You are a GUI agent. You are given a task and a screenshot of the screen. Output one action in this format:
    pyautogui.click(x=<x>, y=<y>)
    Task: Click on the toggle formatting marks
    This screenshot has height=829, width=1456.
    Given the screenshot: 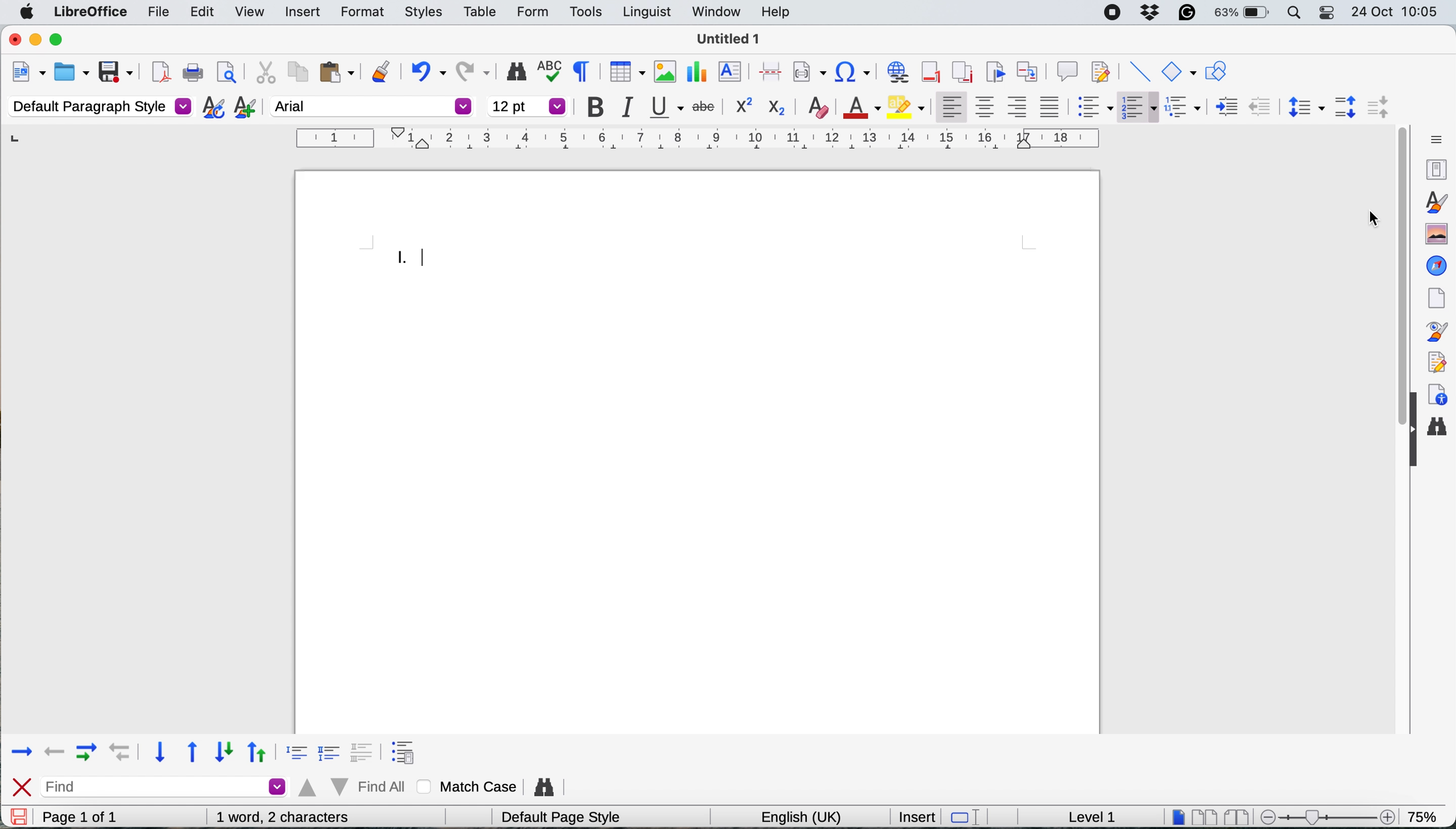 What is the action you would take?
    pyautogui.click(x=585, y=71)
    